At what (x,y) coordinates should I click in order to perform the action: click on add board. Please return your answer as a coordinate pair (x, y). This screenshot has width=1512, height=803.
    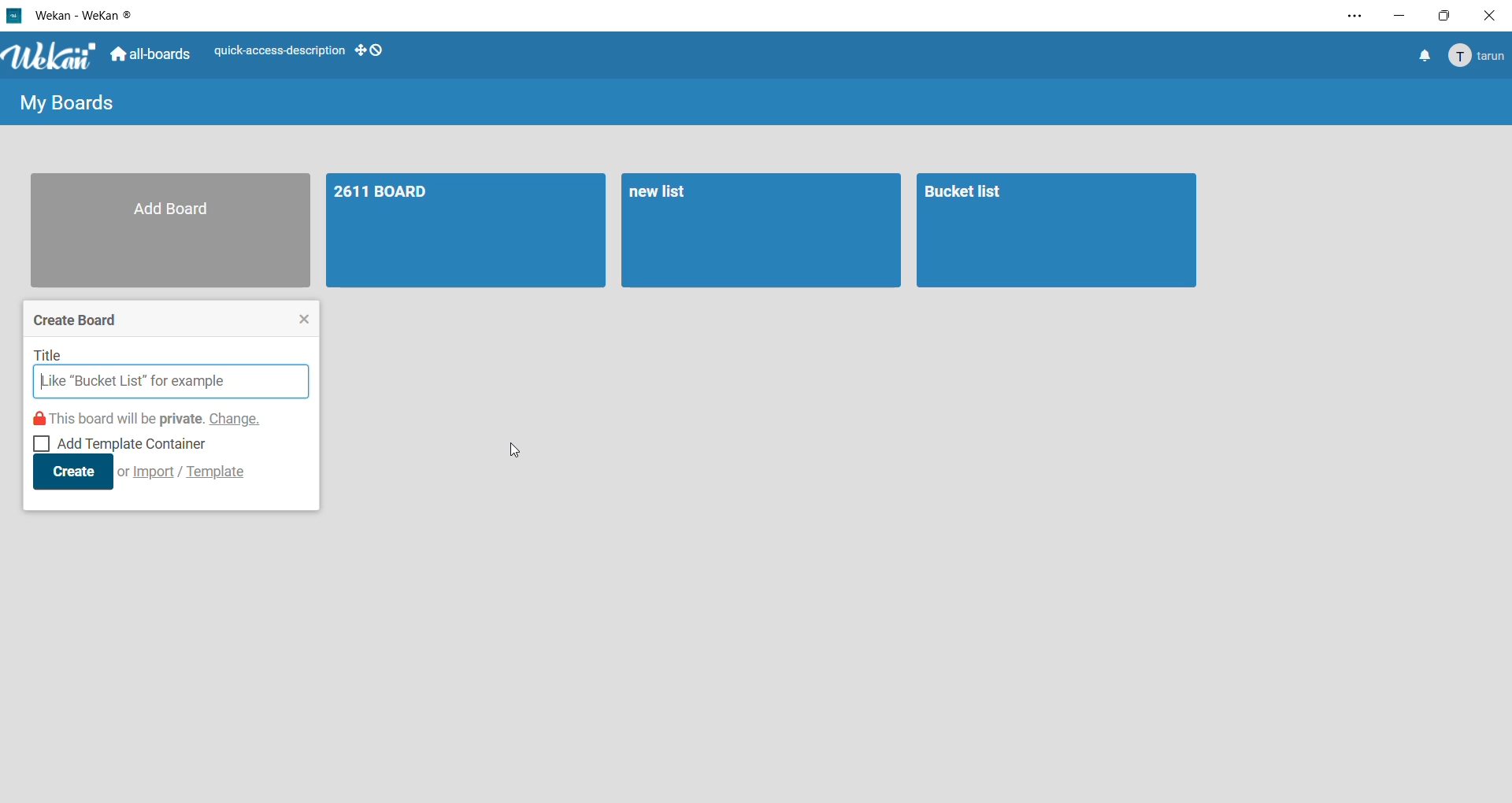
    Looking at the image, I should click on (169, 229).